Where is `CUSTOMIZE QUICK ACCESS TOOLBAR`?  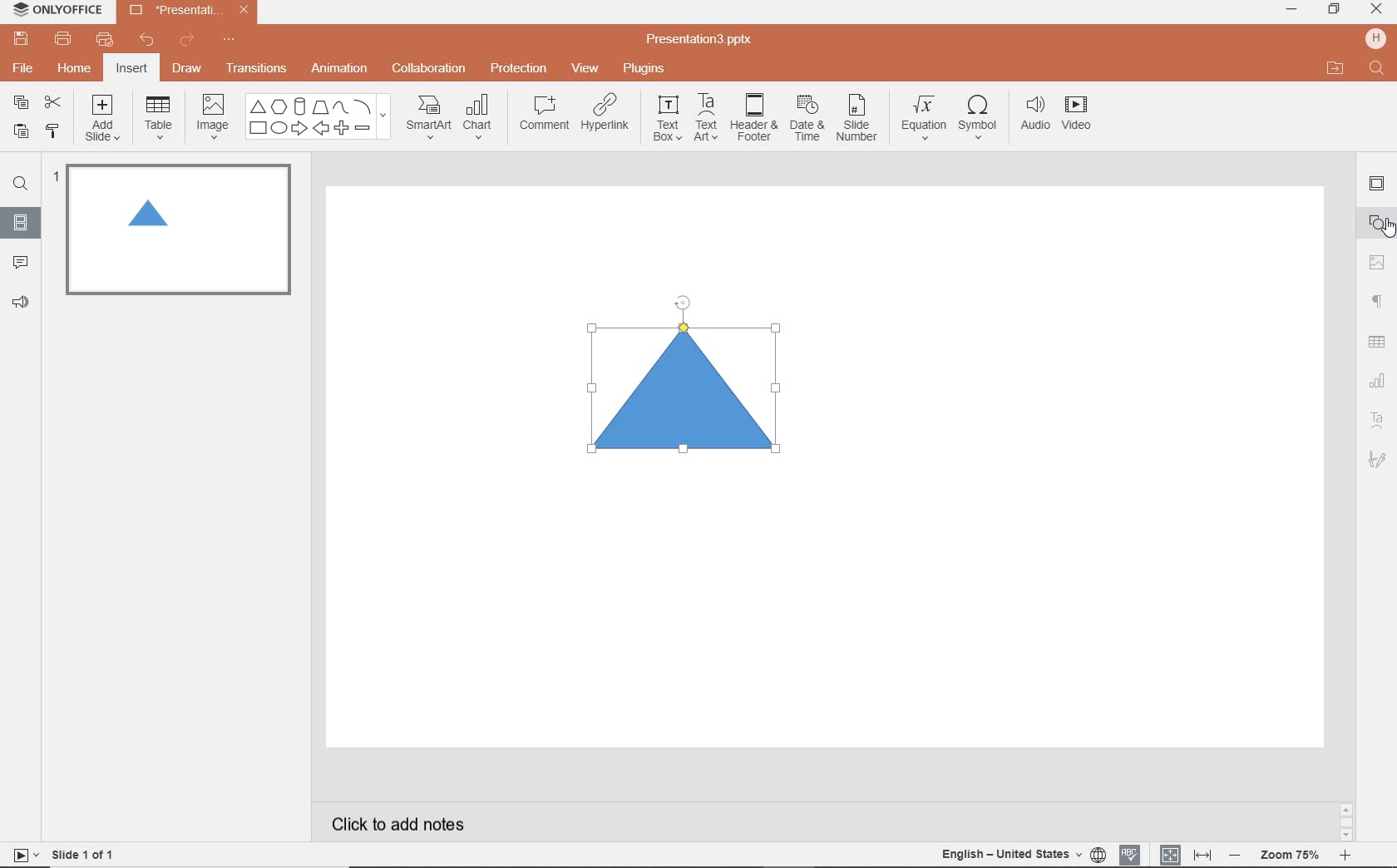 CUSTOMIZE QUICK ACCESS TOOLBAR is located at coordinates (229, 40).